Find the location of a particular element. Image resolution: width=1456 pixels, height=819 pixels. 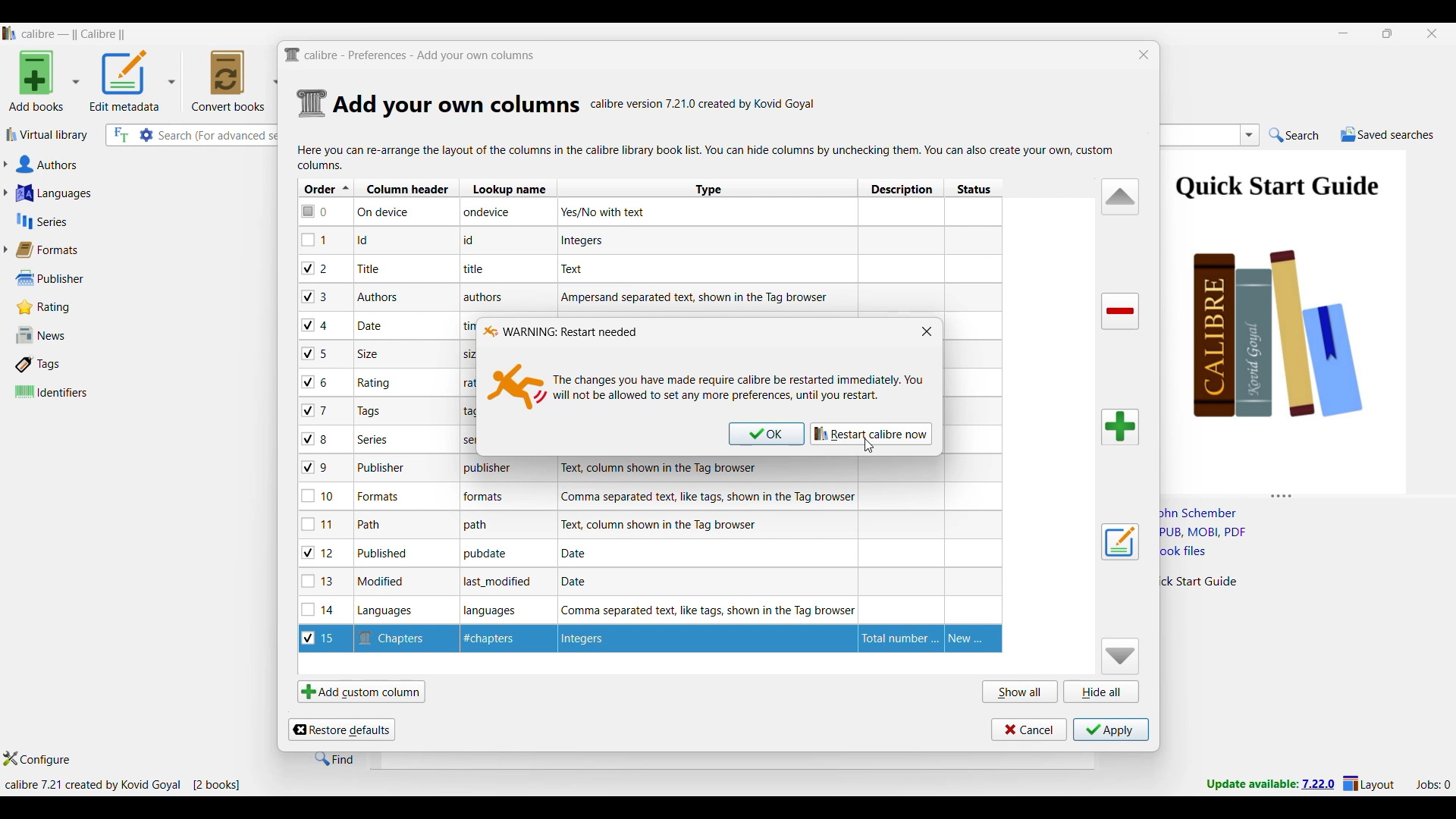

Description  is located at coordinates (896, 638).